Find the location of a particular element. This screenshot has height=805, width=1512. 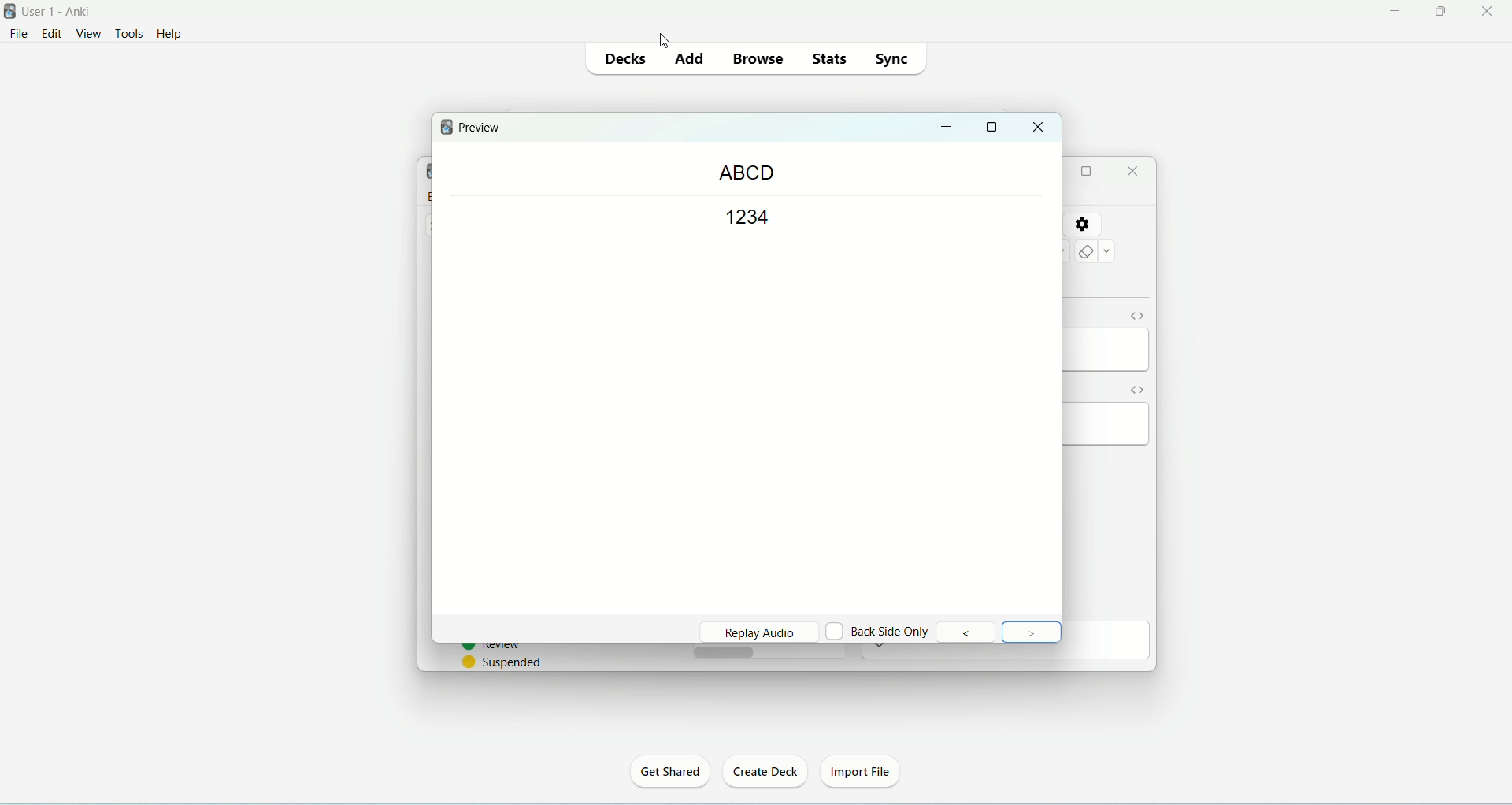

review is located at coordinates (492, 647).